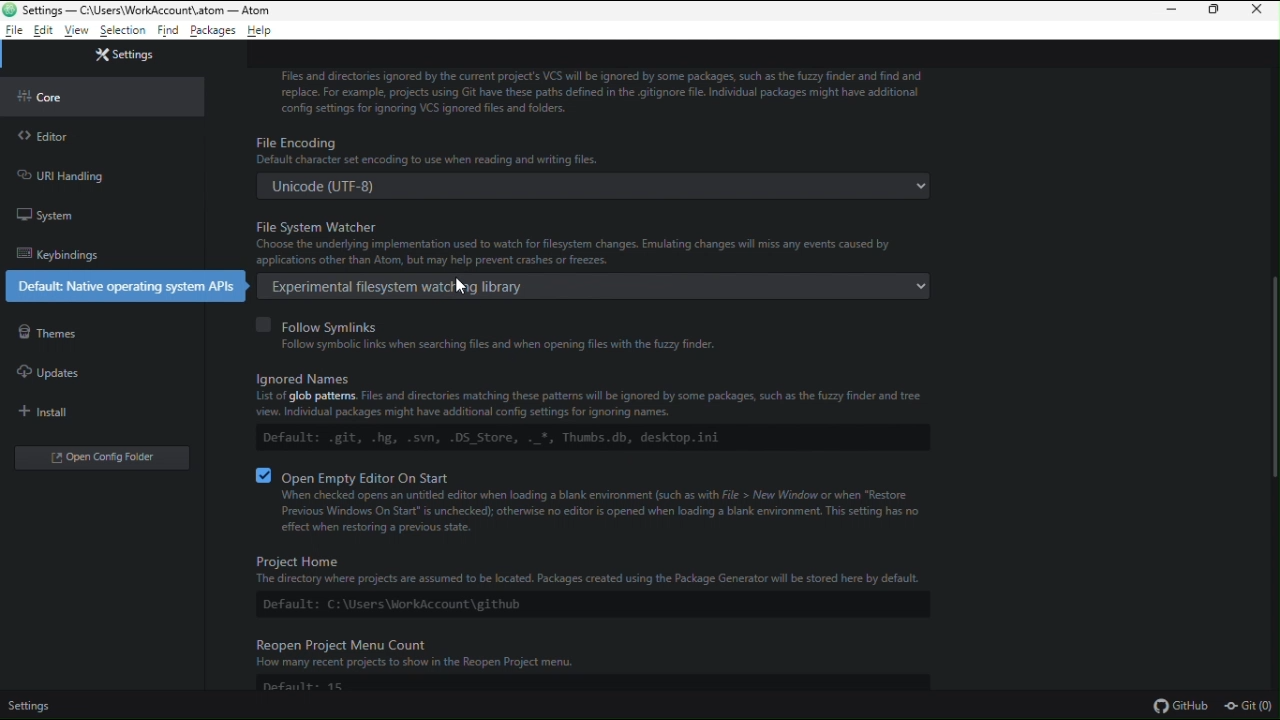  I want to click on Open empty editor on start, so click(603, 501).